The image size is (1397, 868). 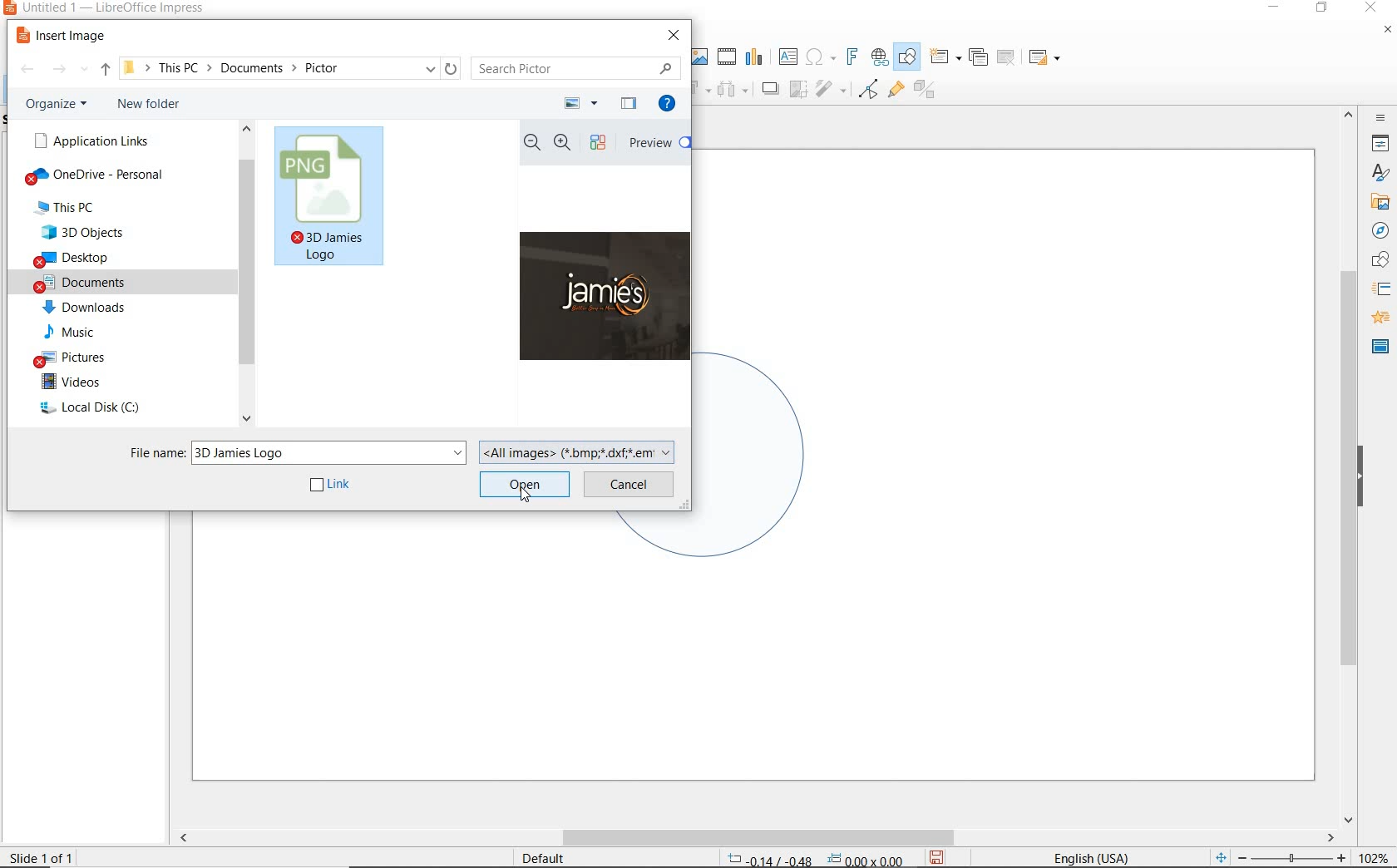 What do you see at coordinates (1378, 260) in the screenshot?
I see `shapes` at bounding box center [1378, 260].